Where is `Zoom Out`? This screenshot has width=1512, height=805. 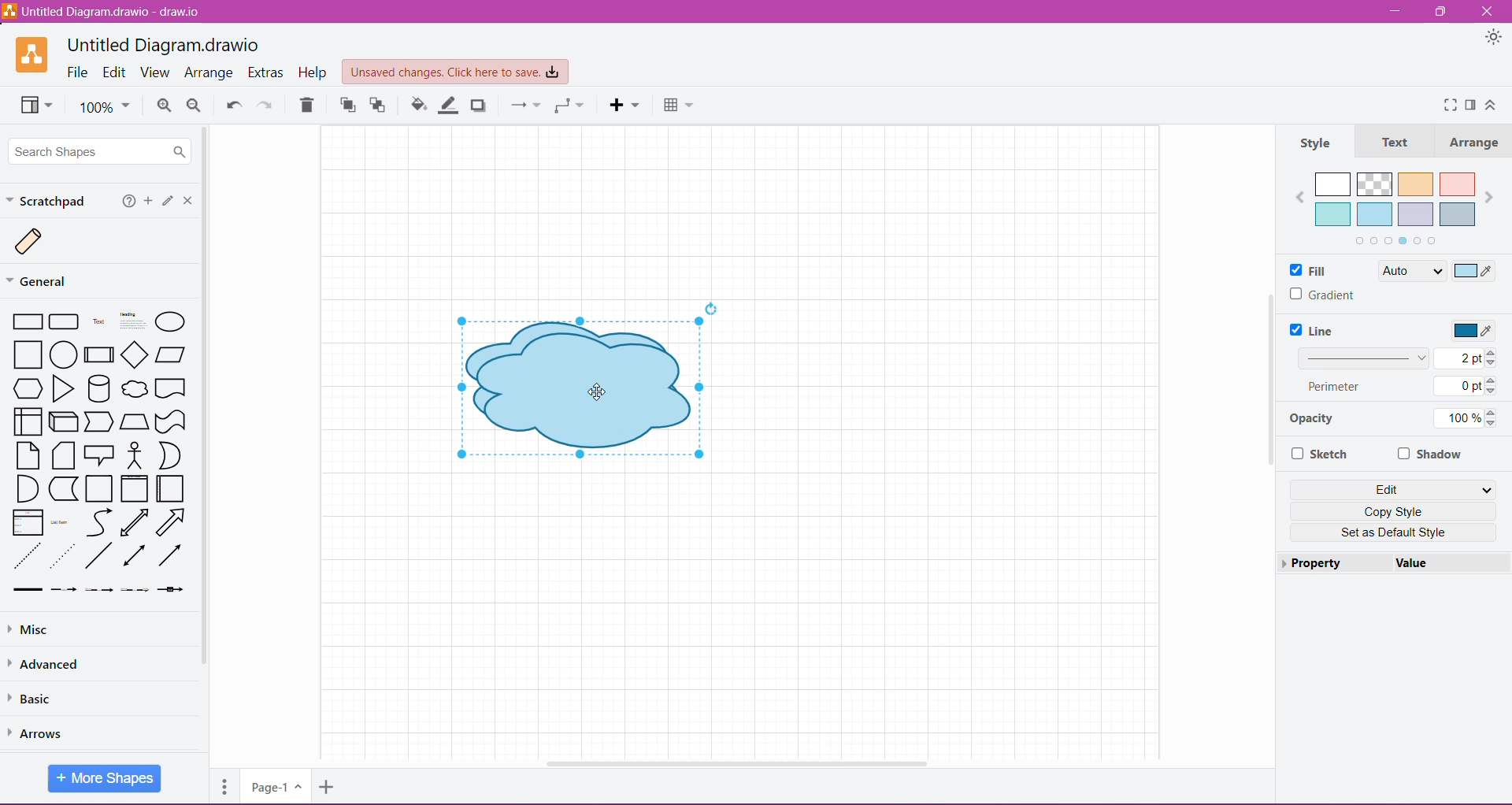 Zoom Out is located at coordinates (195, 106).